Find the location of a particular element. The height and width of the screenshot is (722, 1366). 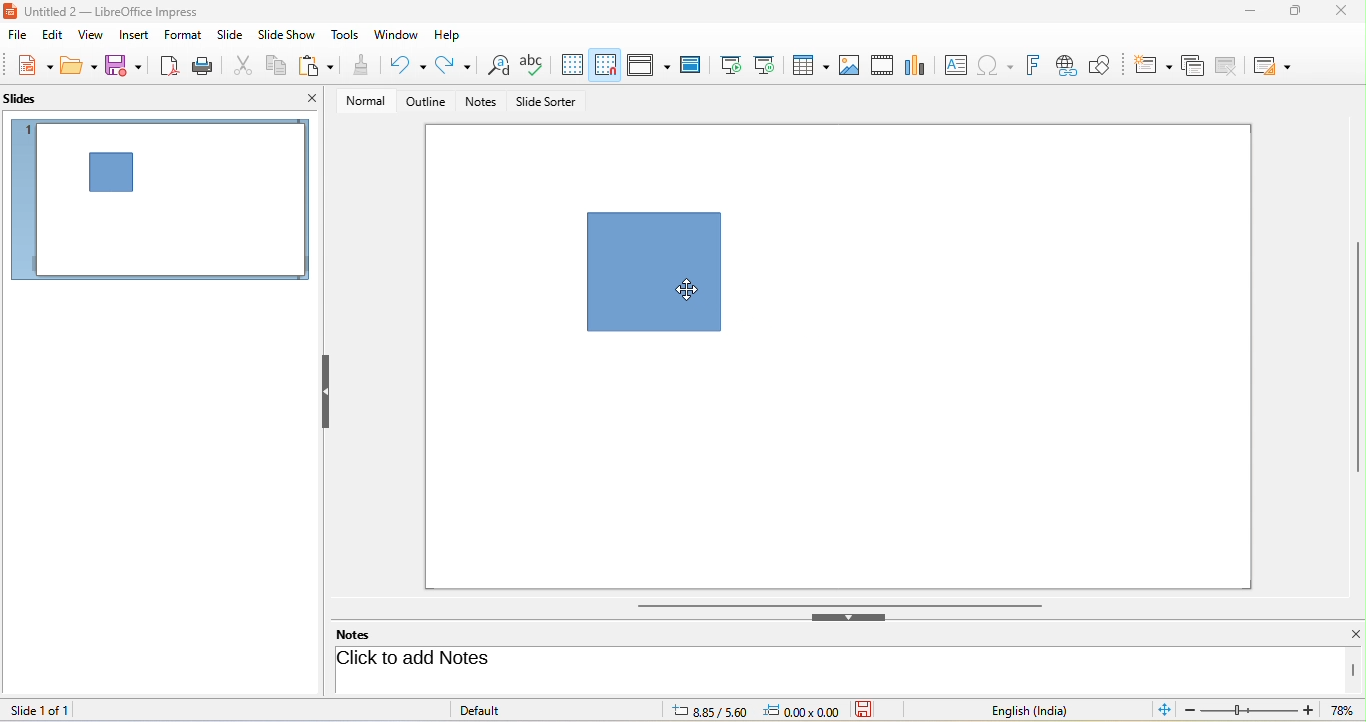

paste is located at coordinates (319, 67).